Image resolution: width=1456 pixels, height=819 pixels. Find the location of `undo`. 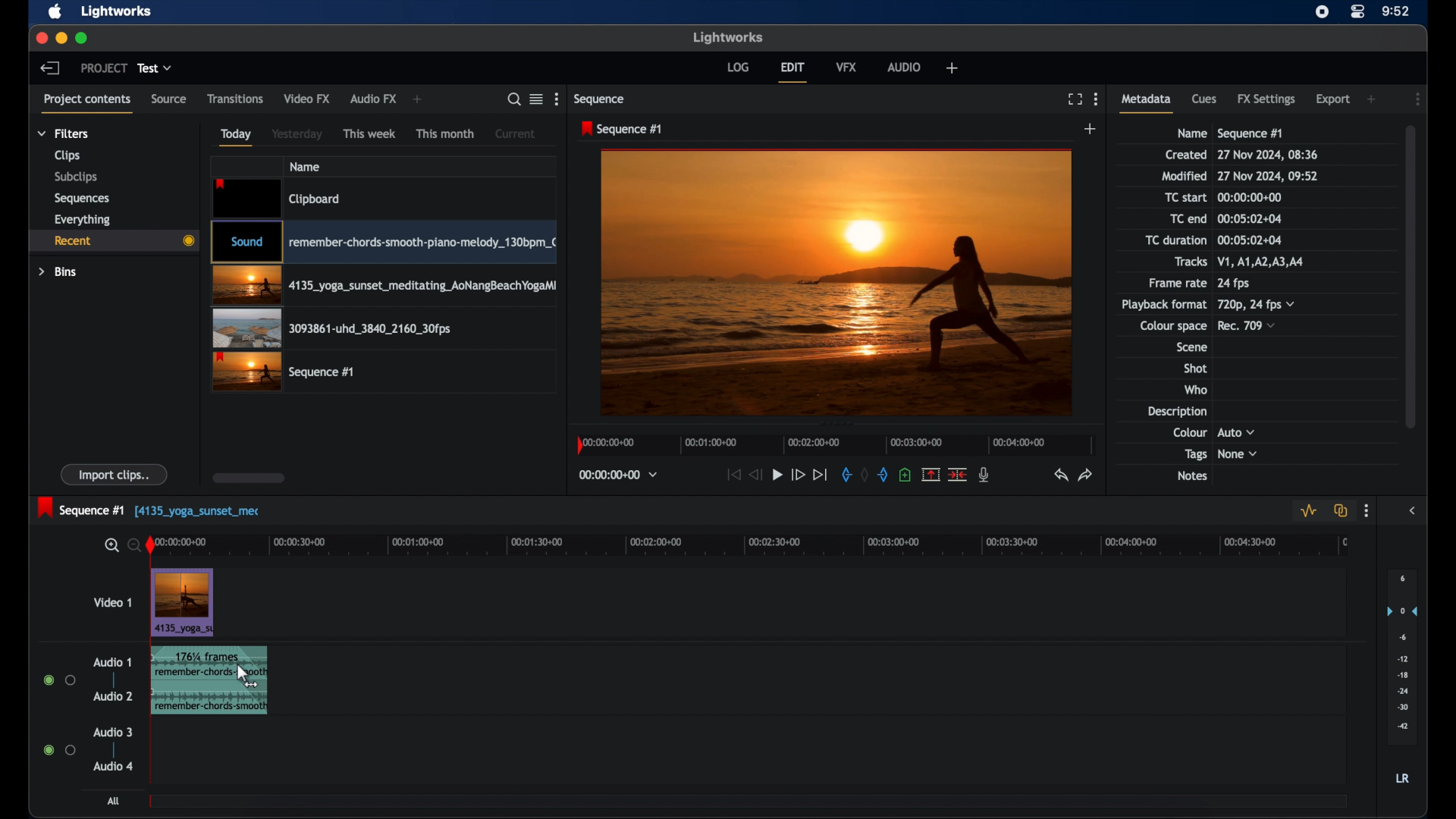

undo is located at coordinates (1059, 475).